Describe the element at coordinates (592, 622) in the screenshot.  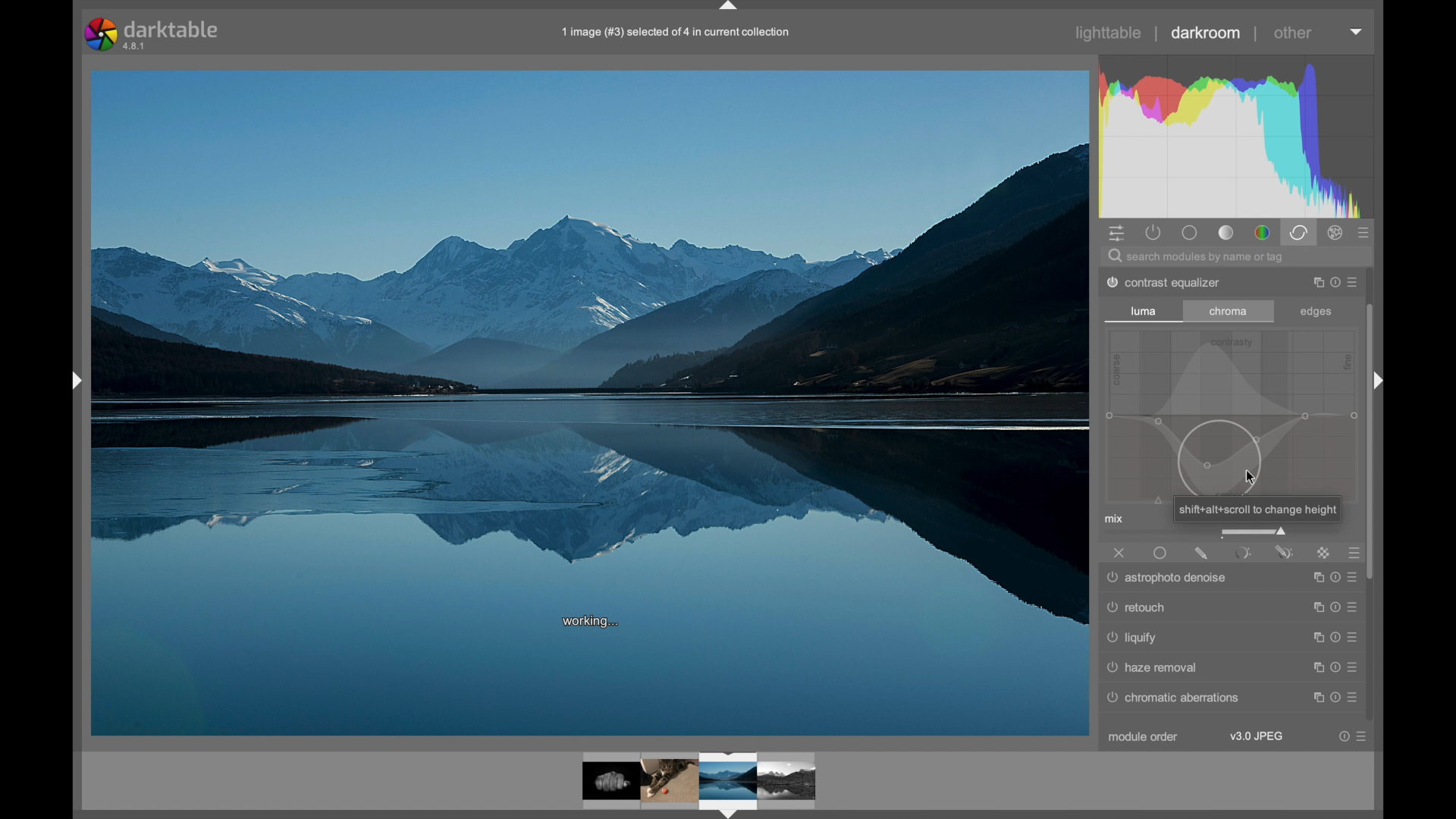
I see `working` at that location.